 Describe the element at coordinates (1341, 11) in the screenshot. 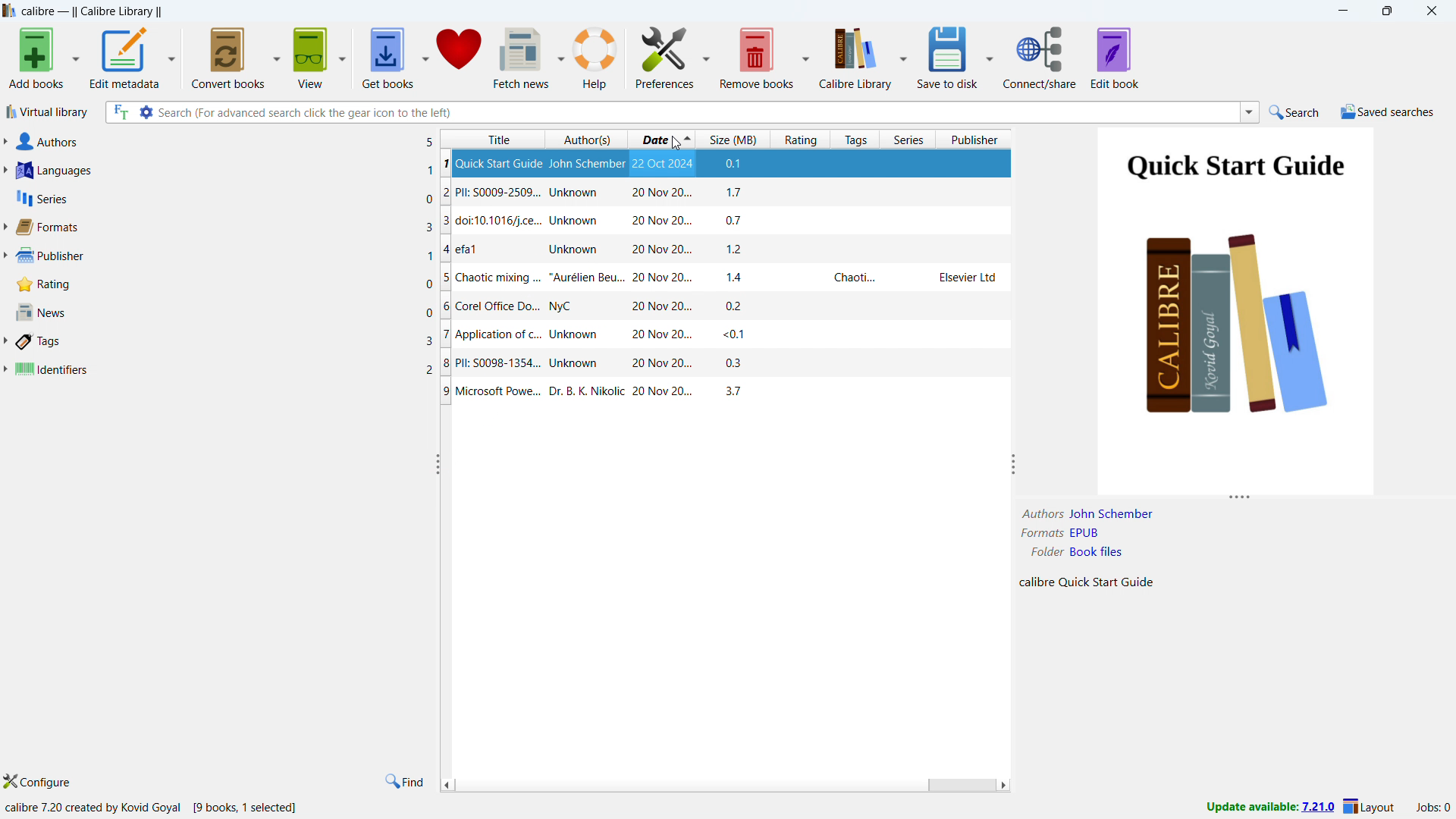

I see `minimize` at that location.